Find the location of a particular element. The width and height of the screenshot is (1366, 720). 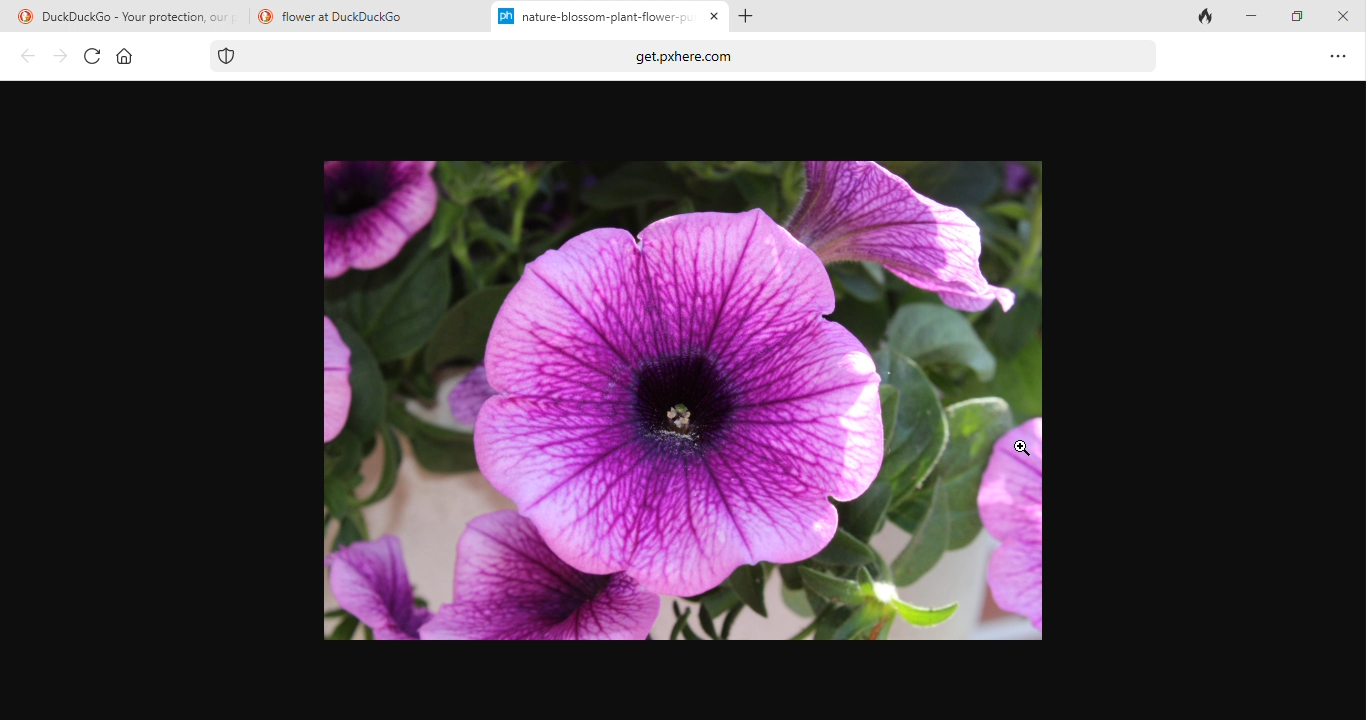

close tab and clear data is located at coordinates (1196, 19).